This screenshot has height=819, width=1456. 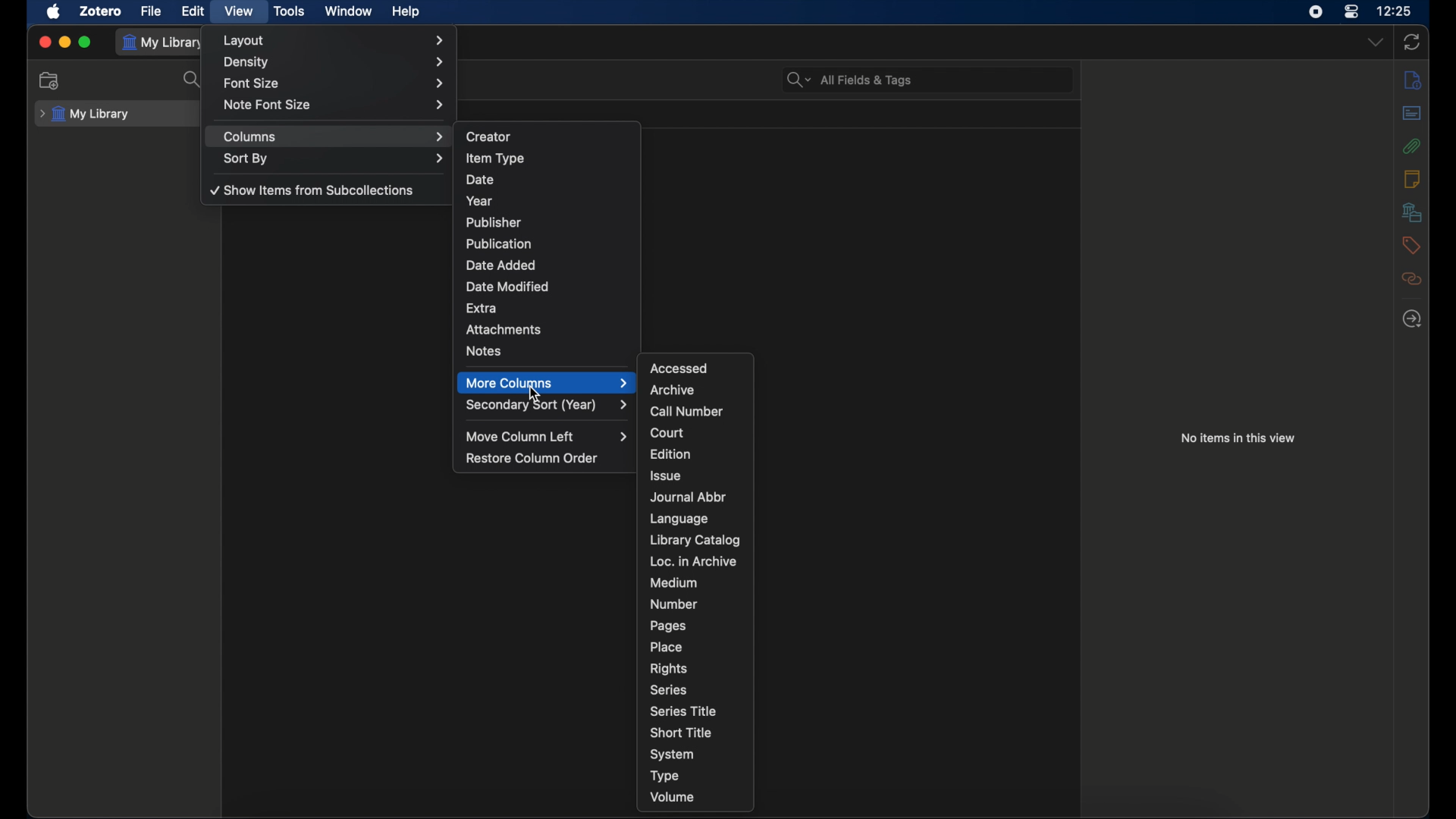 I want to click on density, so click(x=335, y=62).